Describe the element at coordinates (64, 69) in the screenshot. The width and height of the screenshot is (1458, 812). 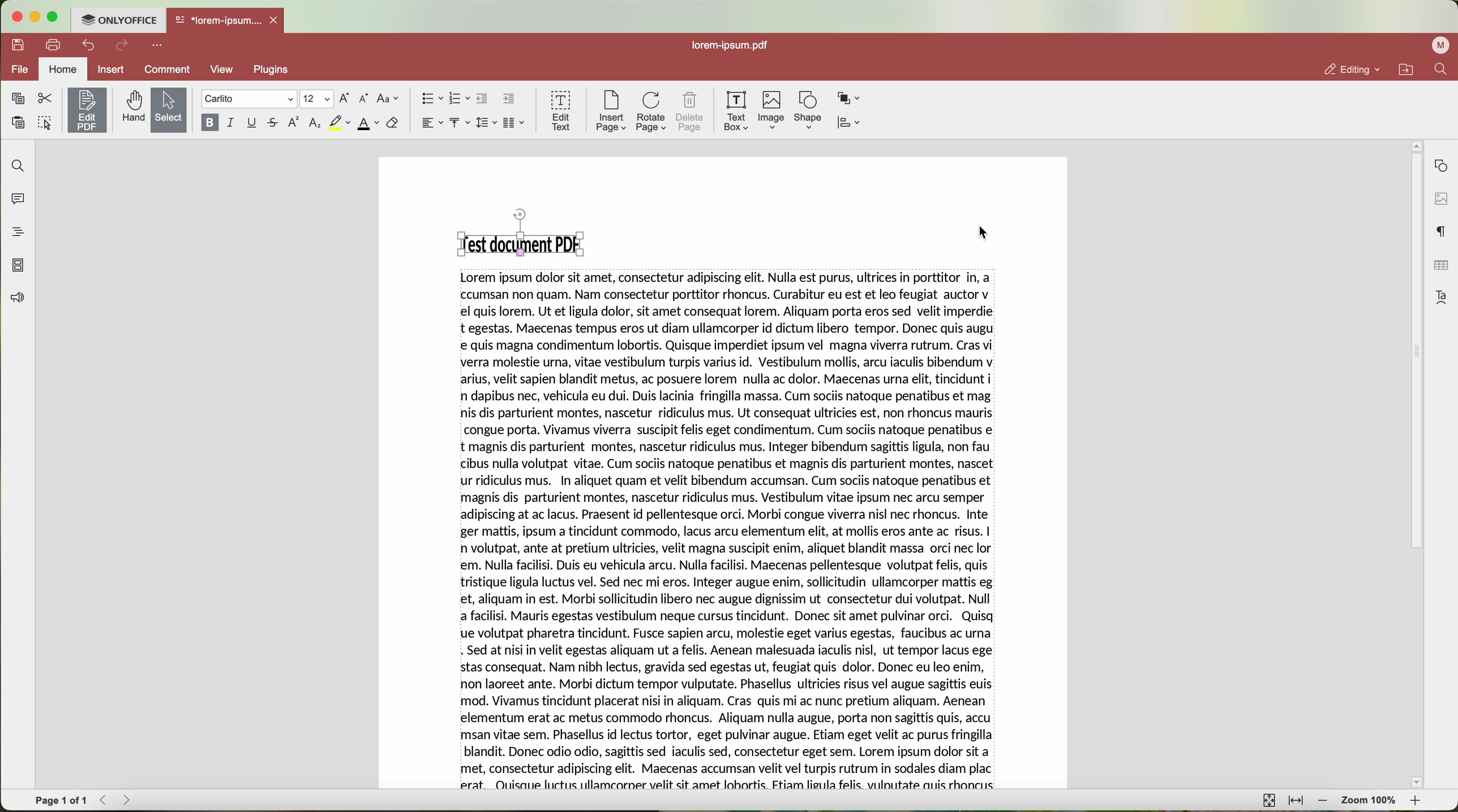
I see `home` at that location.